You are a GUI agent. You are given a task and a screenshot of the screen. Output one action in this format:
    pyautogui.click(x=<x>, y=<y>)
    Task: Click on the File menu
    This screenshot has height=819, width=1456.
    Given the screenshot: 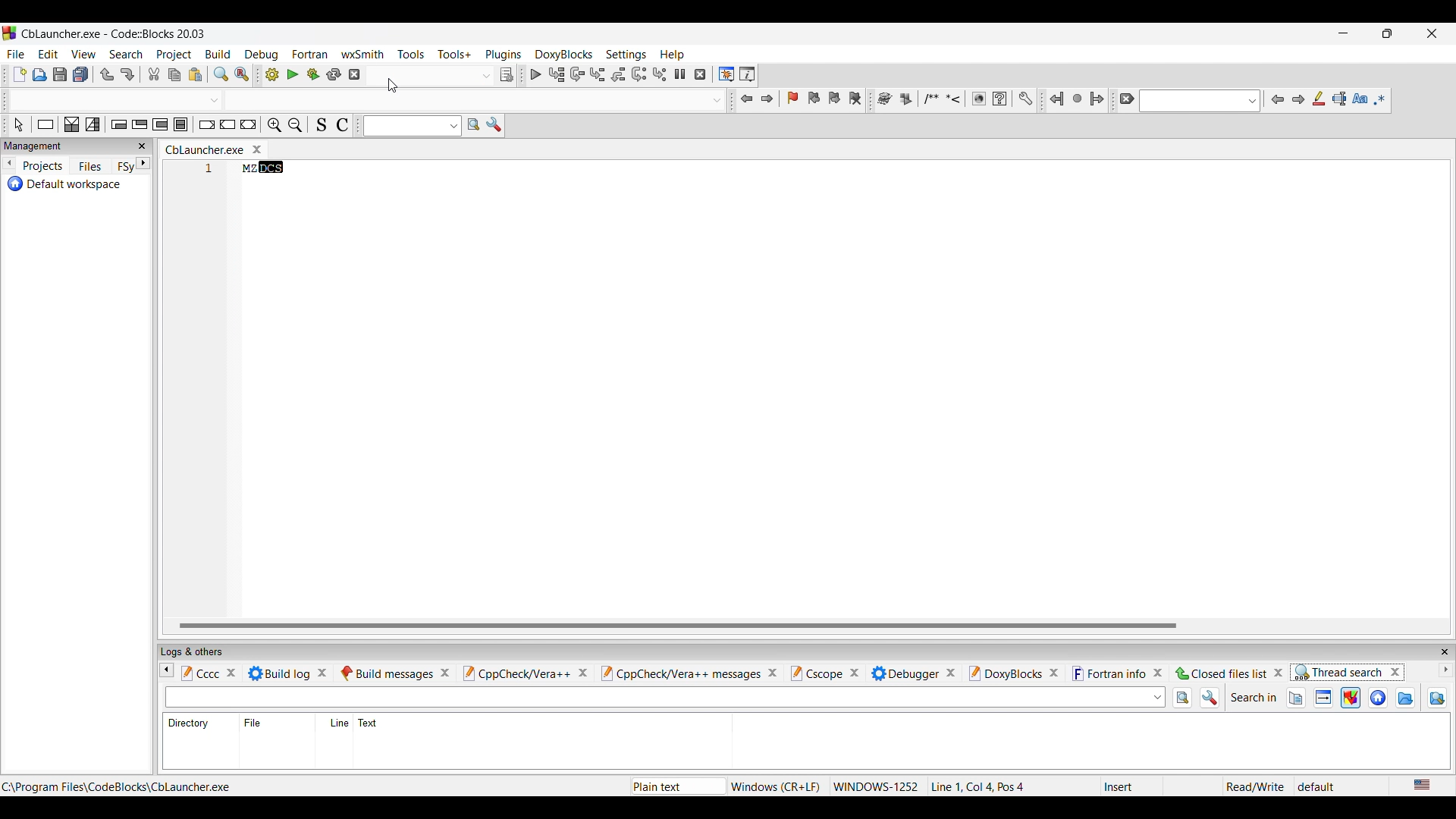 What is the action you would take?
    pyautogui.click(x=16, y=54)
    